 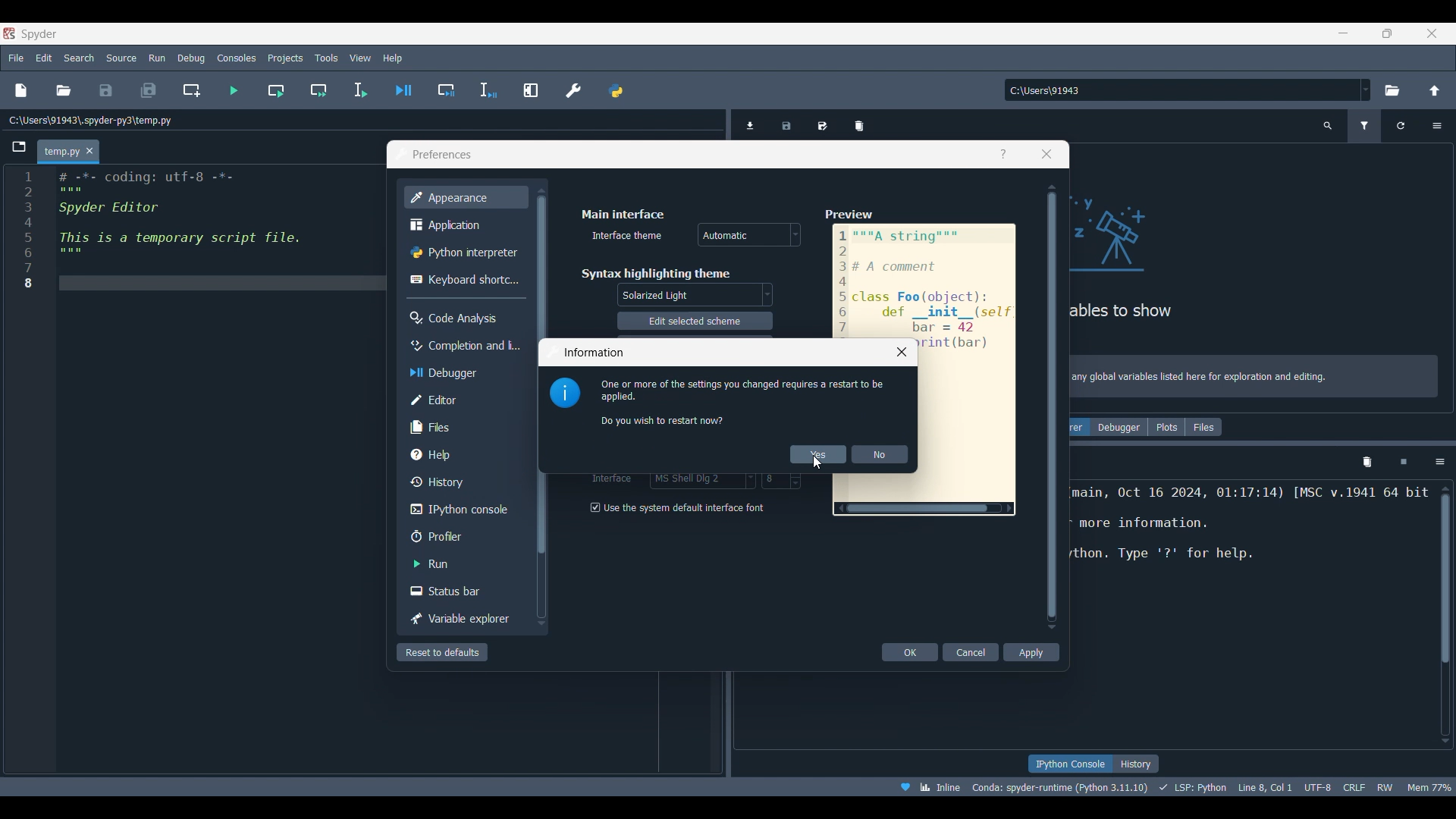 I want to click on Save data, so click(x=788, y=121).